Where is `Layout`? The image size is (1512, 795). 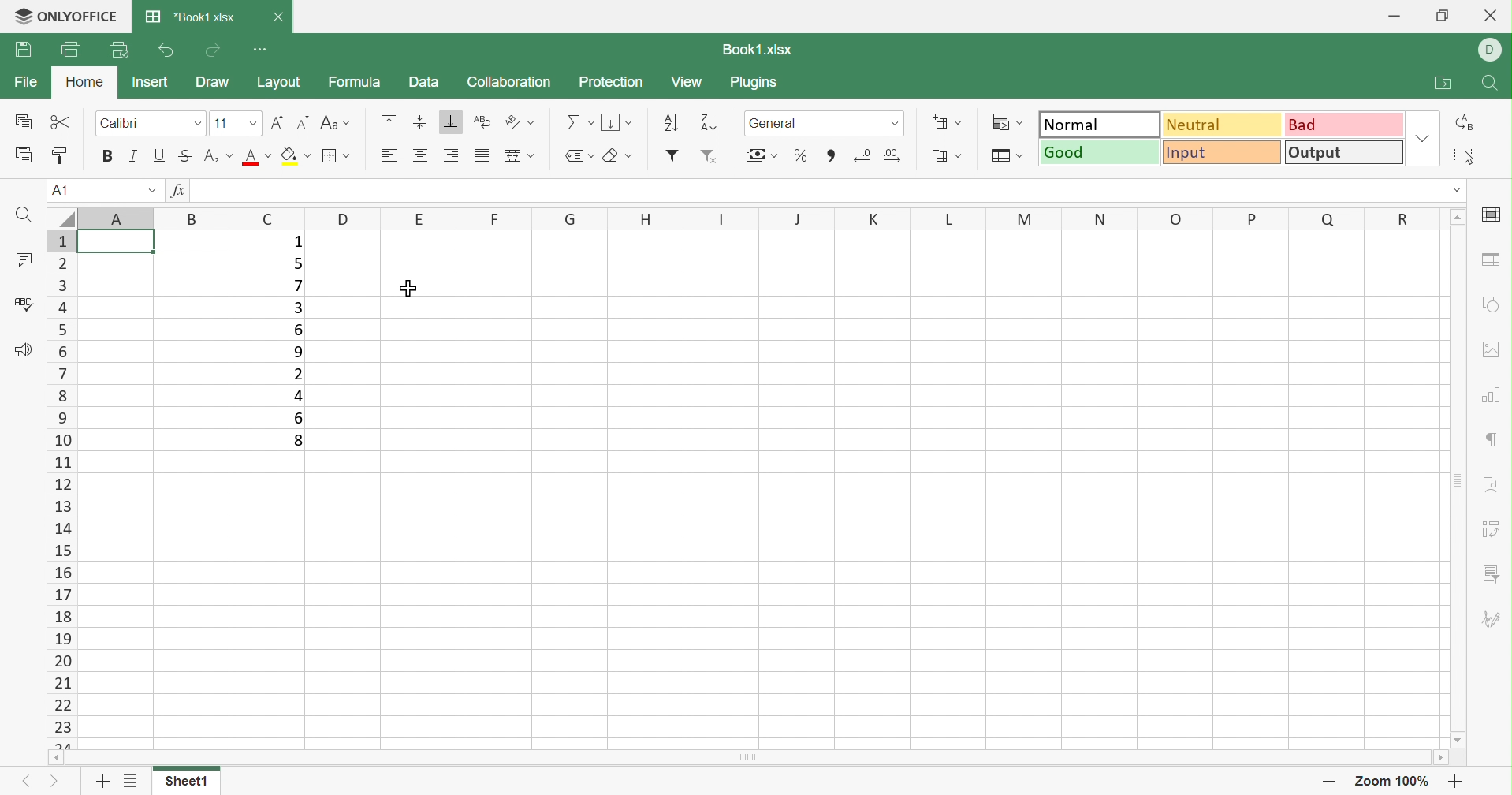
Layout is located at coordinates (279, 84).